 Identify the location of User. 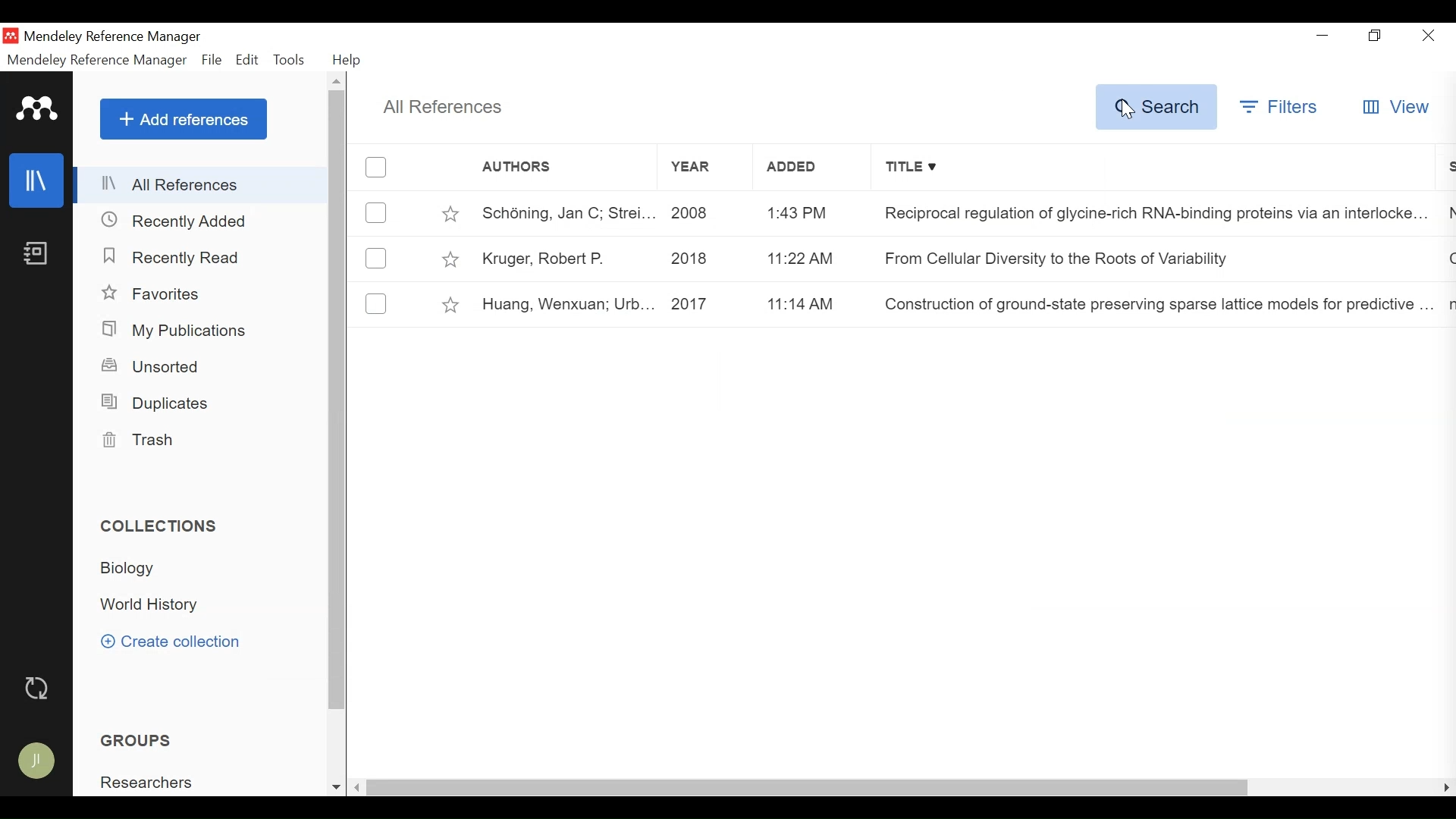
(35, 762).